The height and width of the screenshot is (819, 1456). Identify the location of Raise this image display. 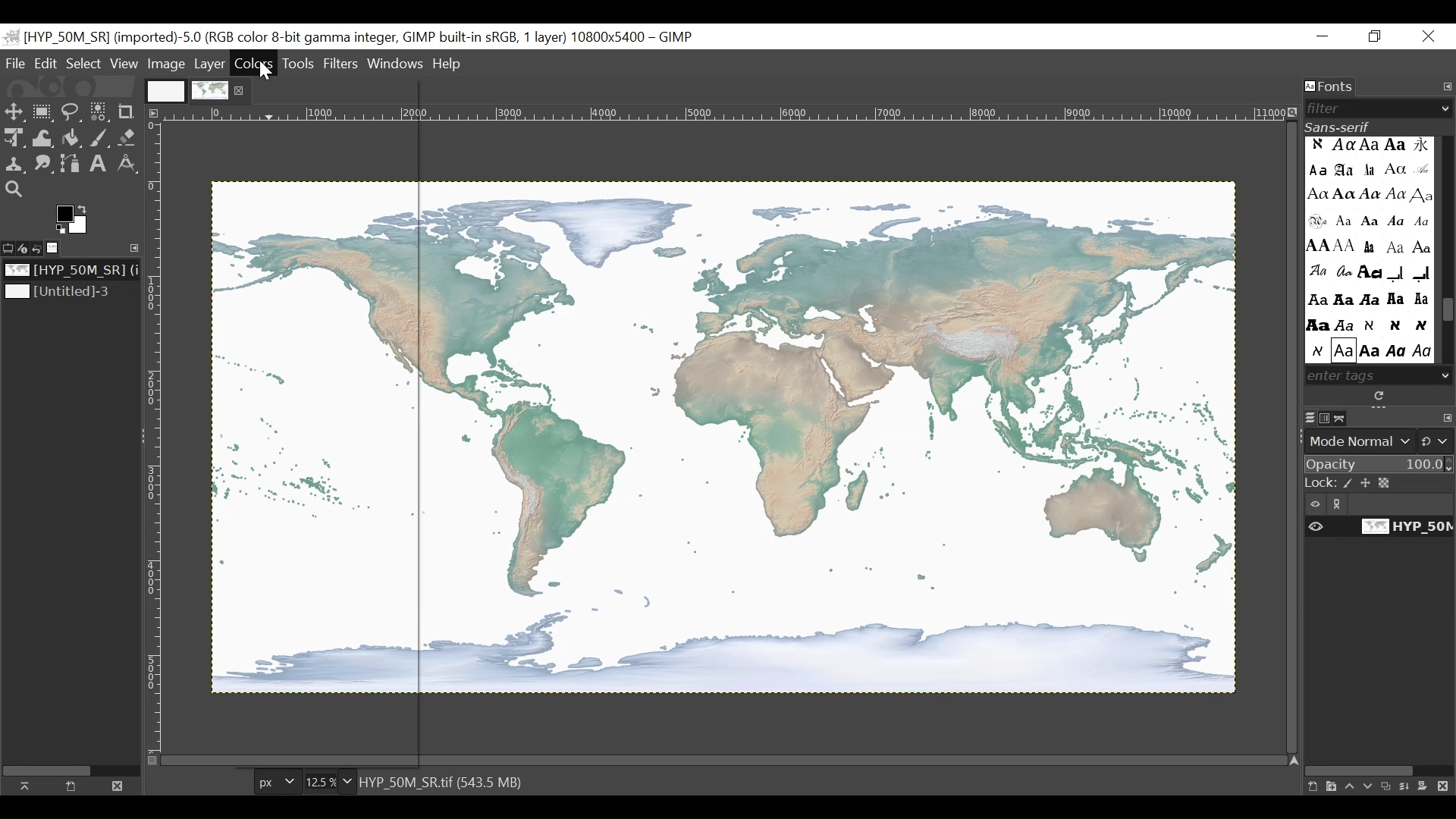
(29, 786).